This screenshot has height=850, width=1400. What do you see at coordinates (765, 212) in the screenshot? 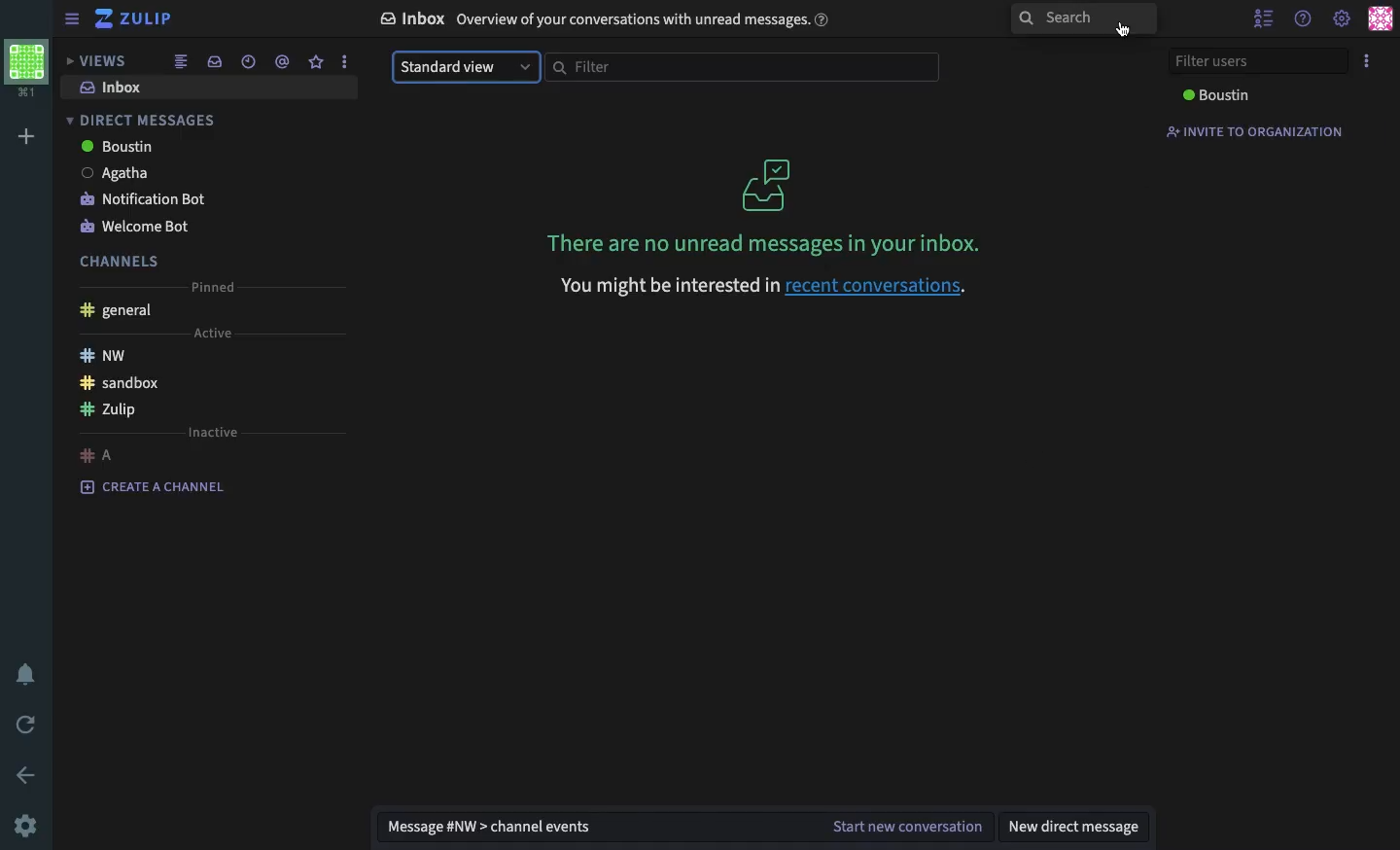
I see `There are no unread messages in your inbox.` at bounding box center [765, 212].